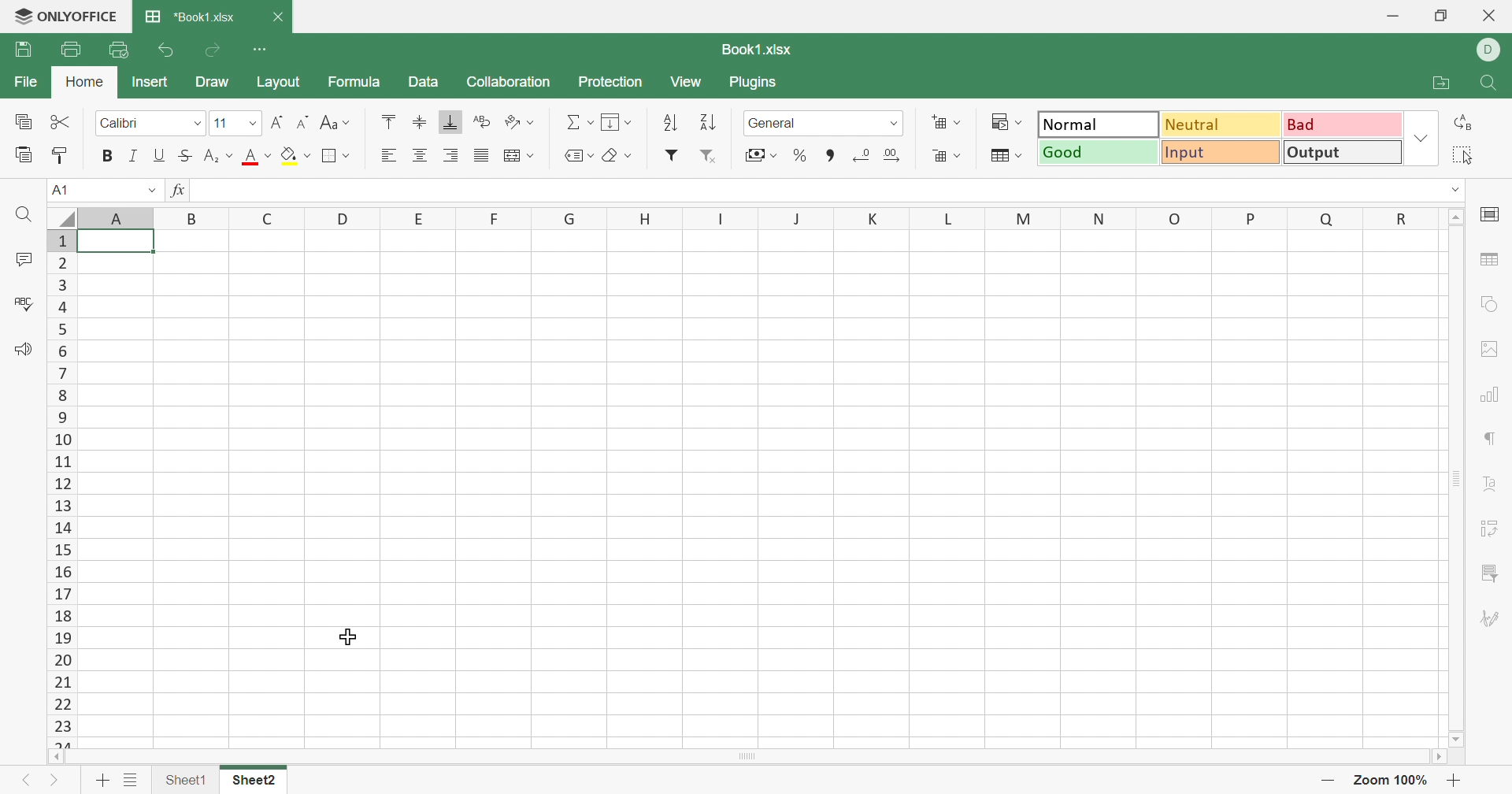 The height and width of the screenshot is (794, 1512). What do you see at coordinates (61, 661) in the screenshot?
I see `20` at bounding box center [61, 661].